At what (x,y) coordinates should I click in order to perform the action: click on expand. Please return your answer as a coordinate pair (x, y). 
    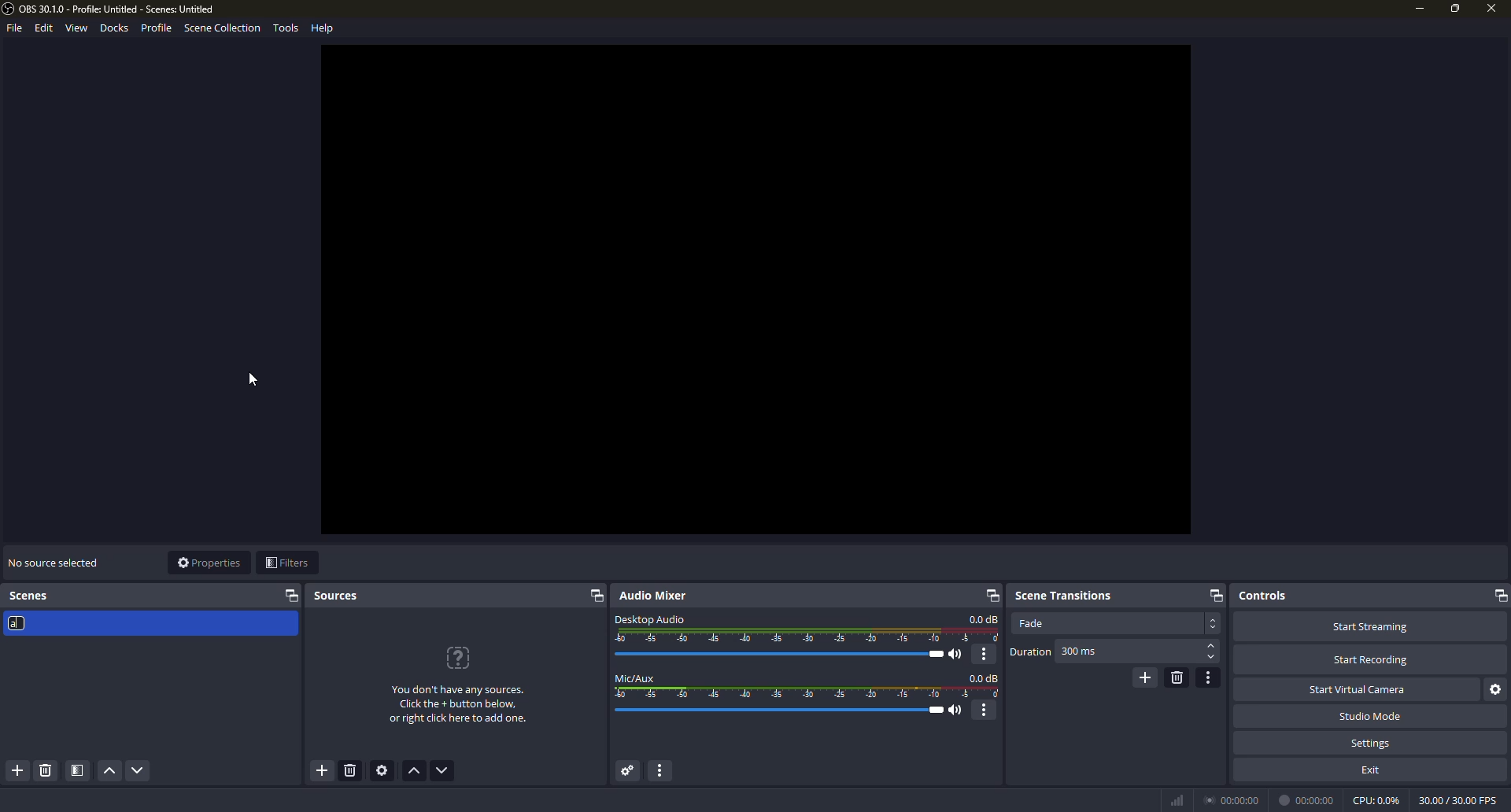
    Looking at the image, I should click on (1498, 596).